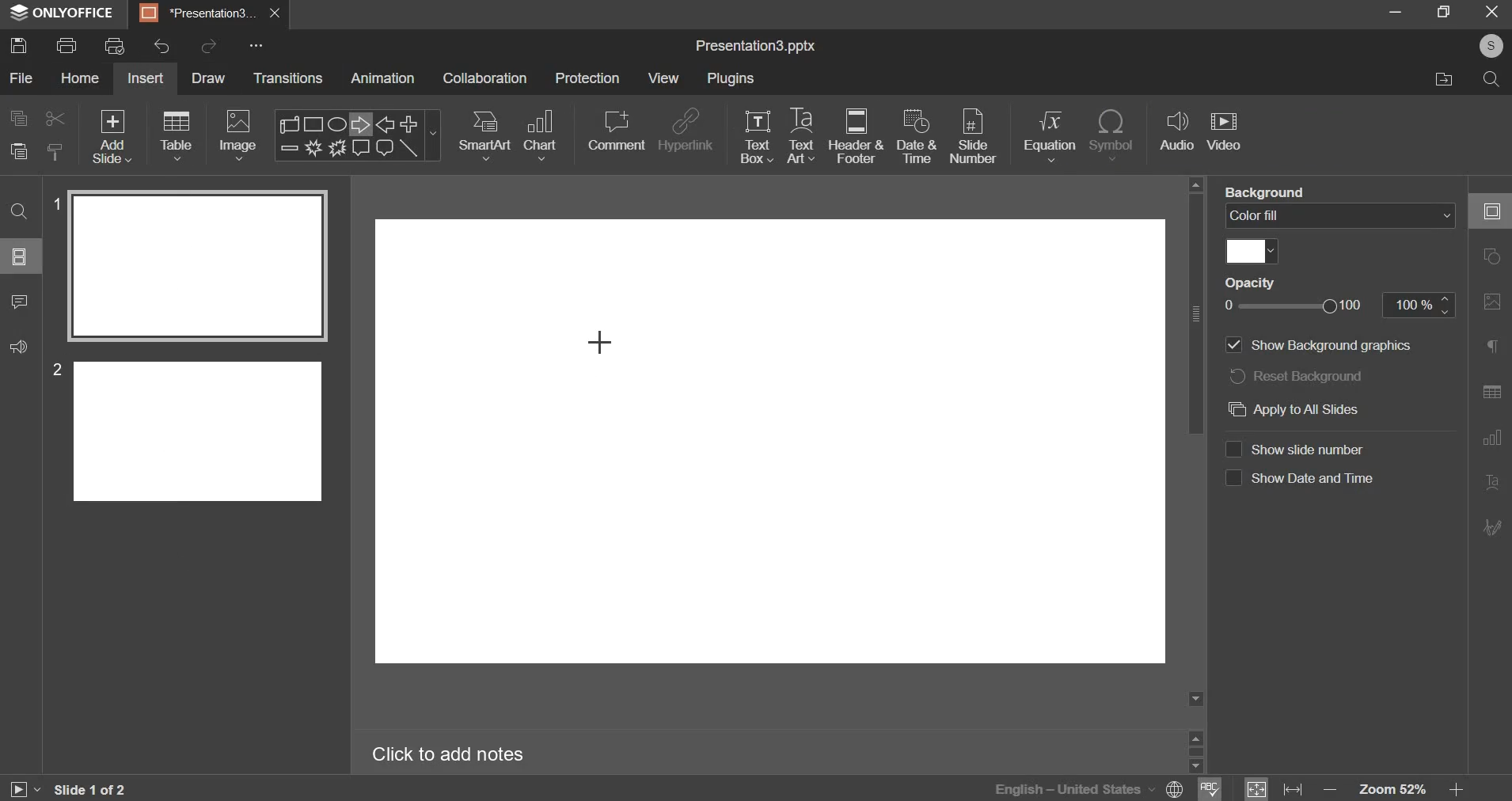 This screenshot has width=1512, height=801. I want to click on right arrow, so click(357, 123).